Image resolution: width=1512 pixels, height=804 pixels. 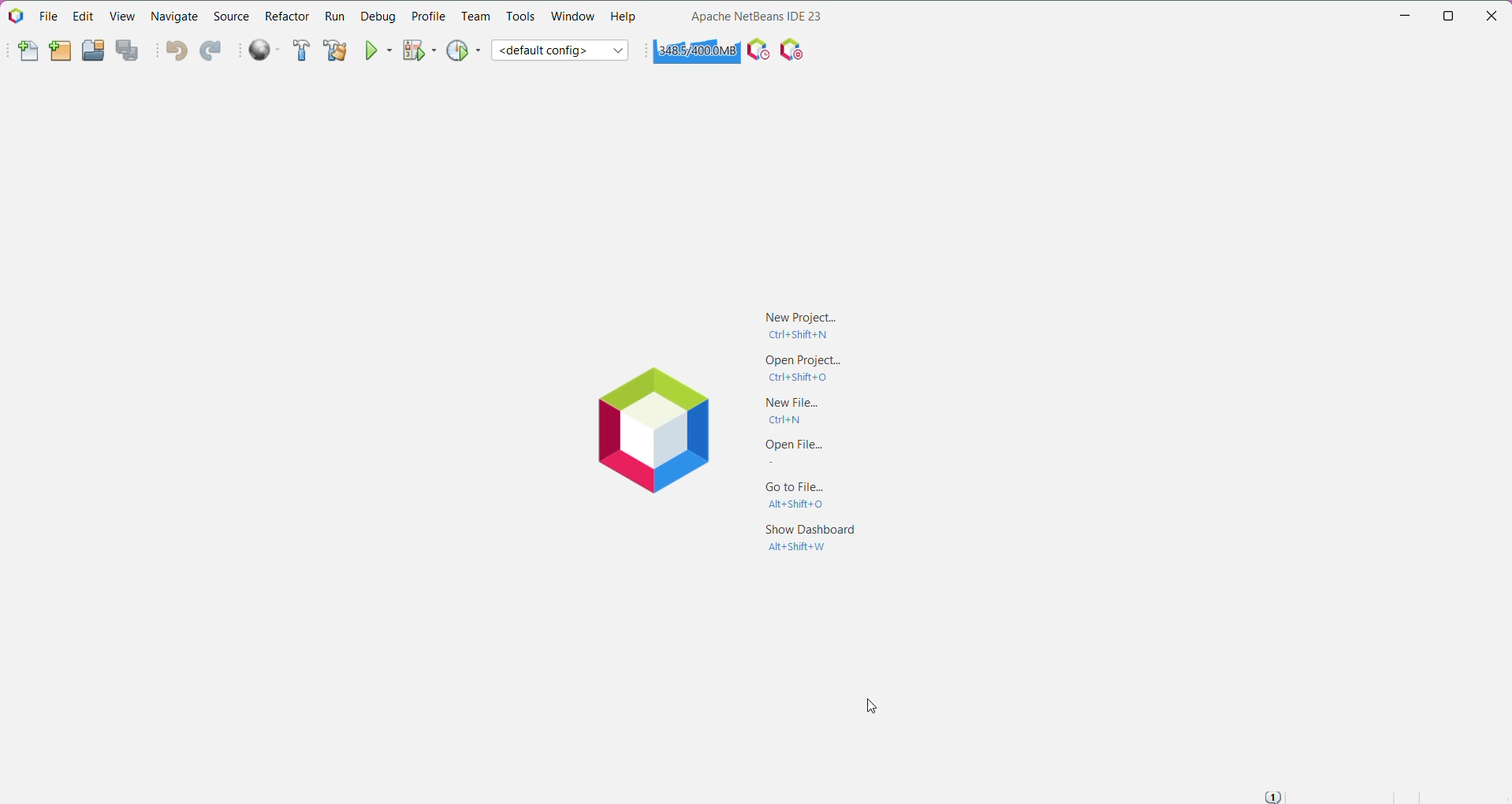 What do you see at coordinates (795, 324) in the screenshot?
I see `New Project` at bounding box center [795, 324].